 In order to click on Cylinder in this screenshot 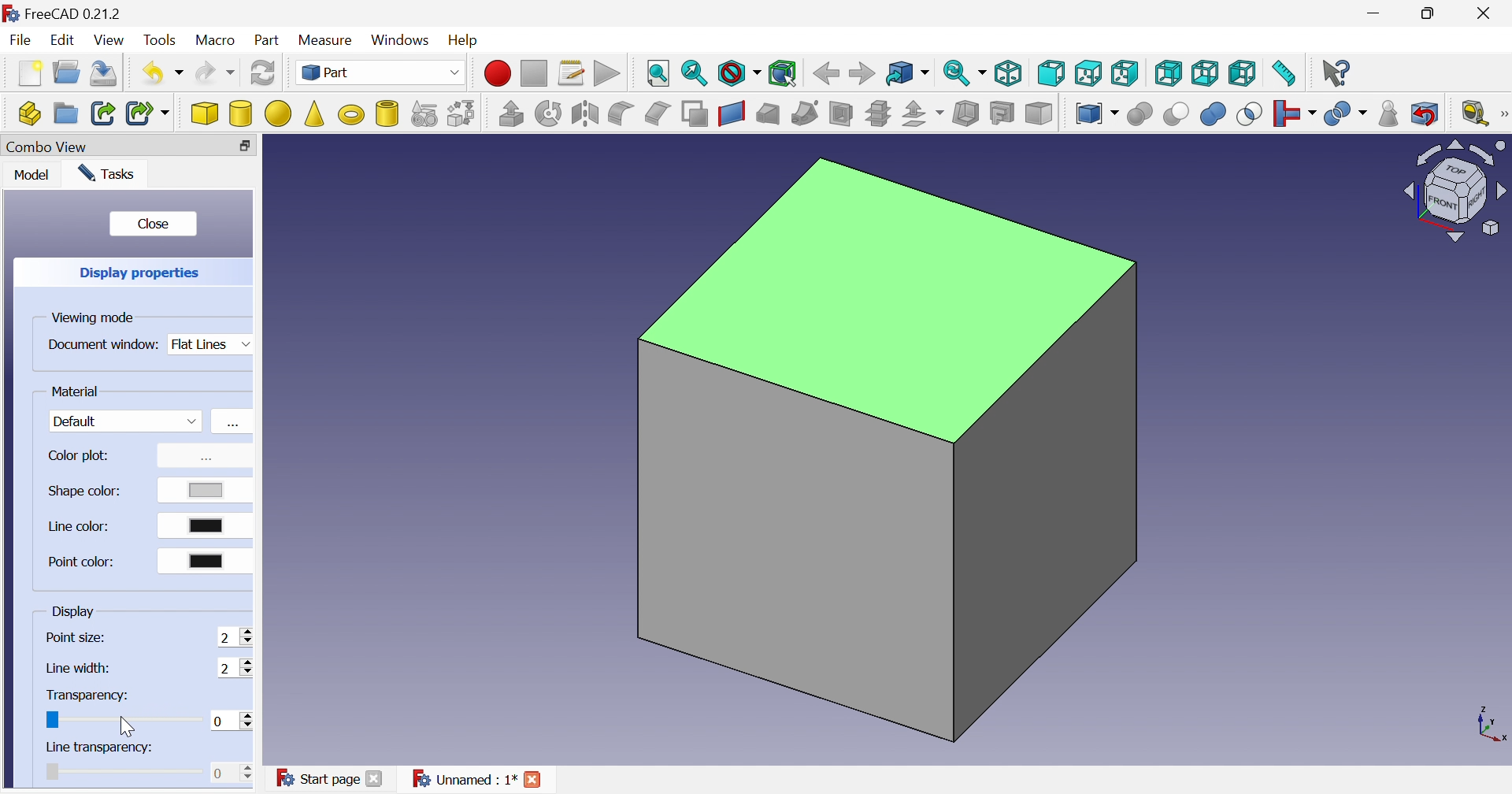, I will do `click(241, 115)`.